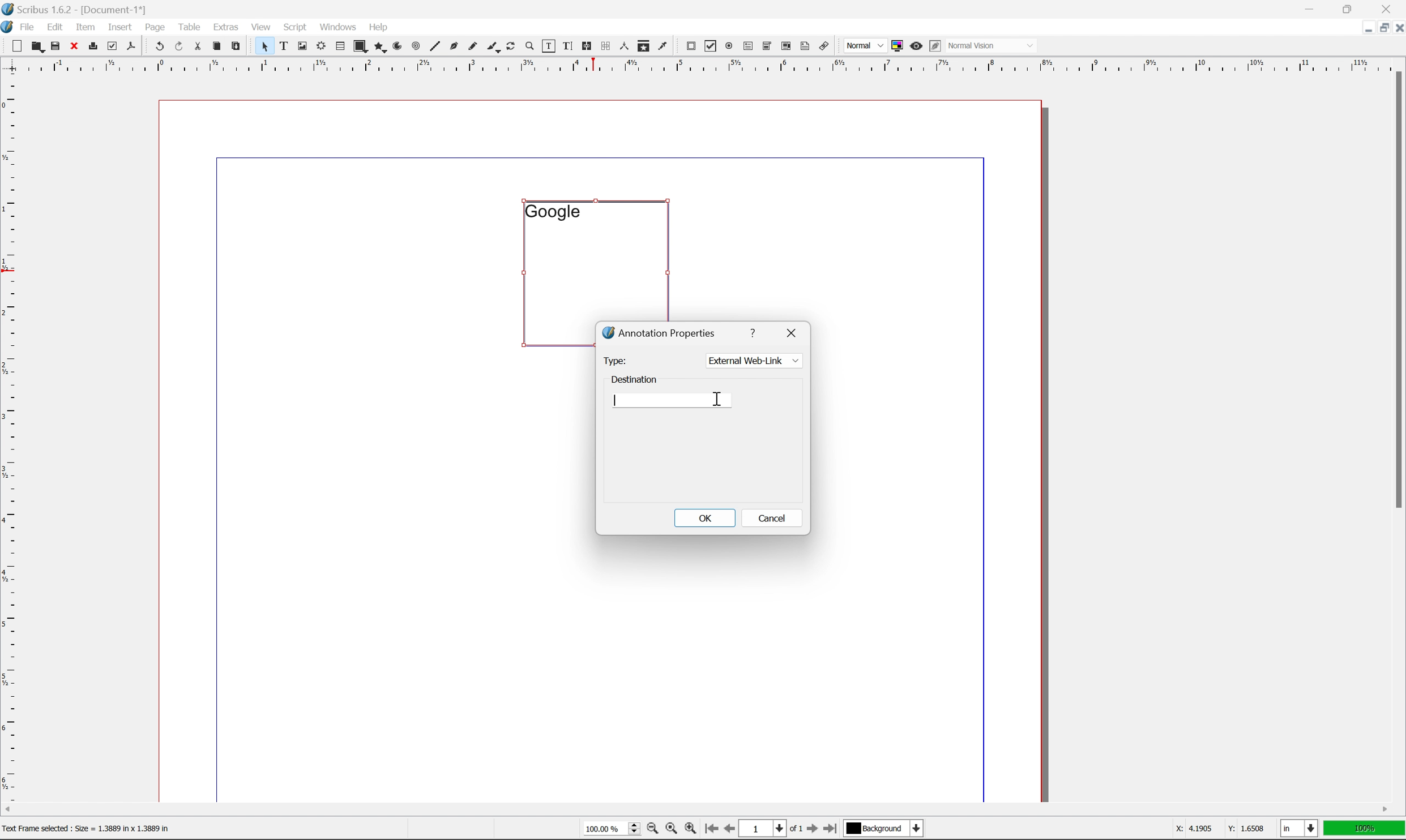 Image resolution: width=1406 pixels, height=840 pixels. What do you see at coordinates (708, 47) in the screenshot?
I see `pdf checkbox` at bounding box center [708, 47].